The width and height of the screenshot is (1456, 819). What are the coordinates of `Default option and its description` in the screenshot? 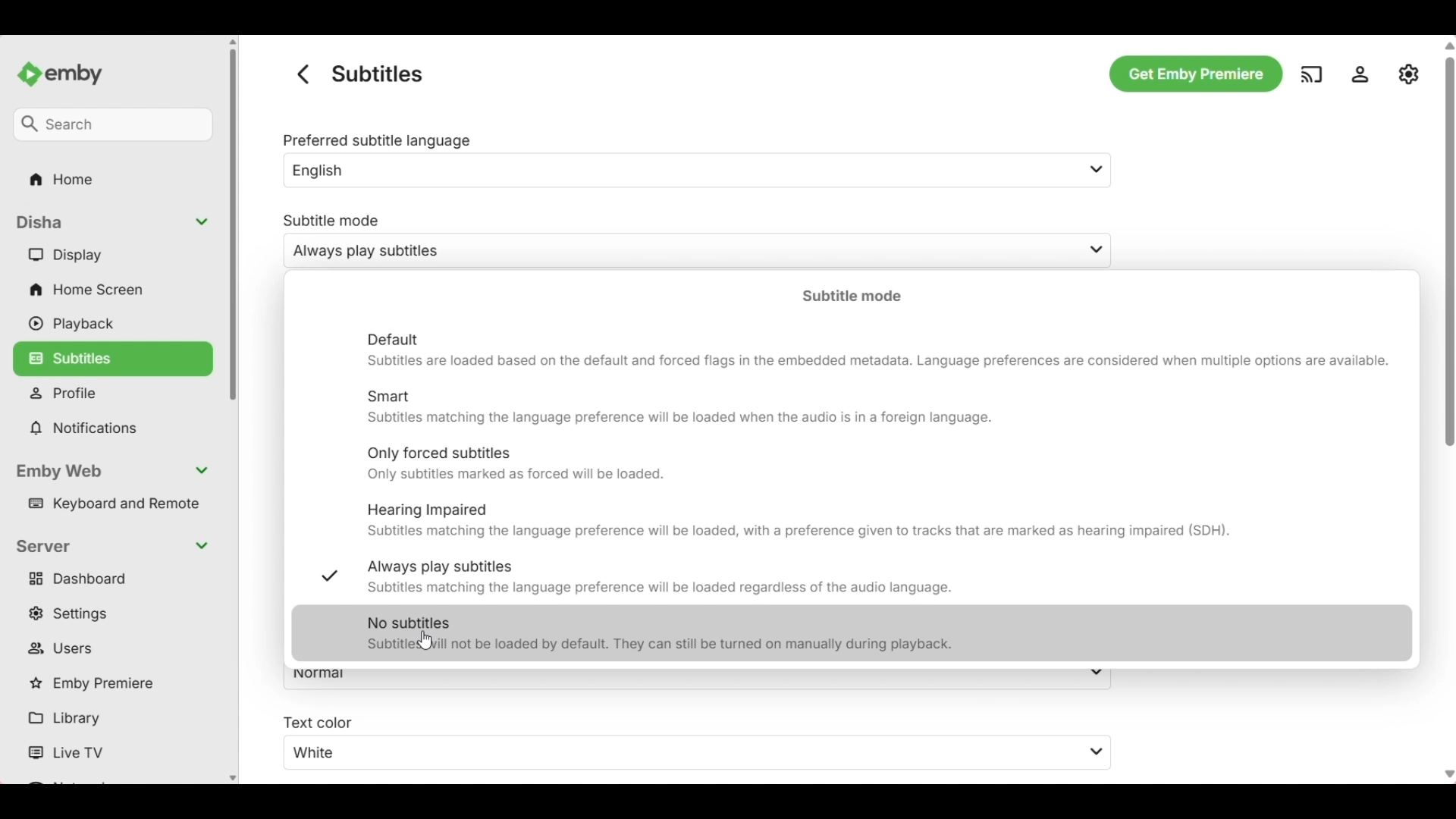 It's located at (880, 350).